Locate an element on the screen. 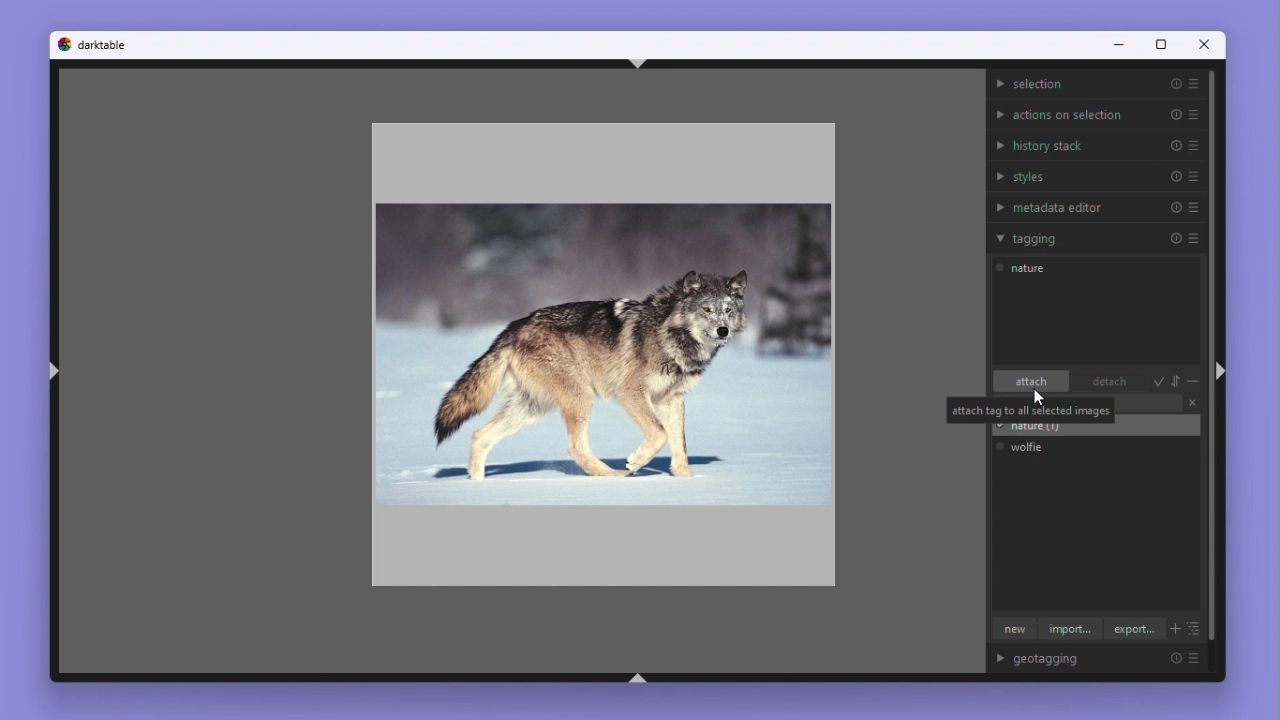 This screenshot has height=720, width=1280. New  is located at coordinates (1011, 630).